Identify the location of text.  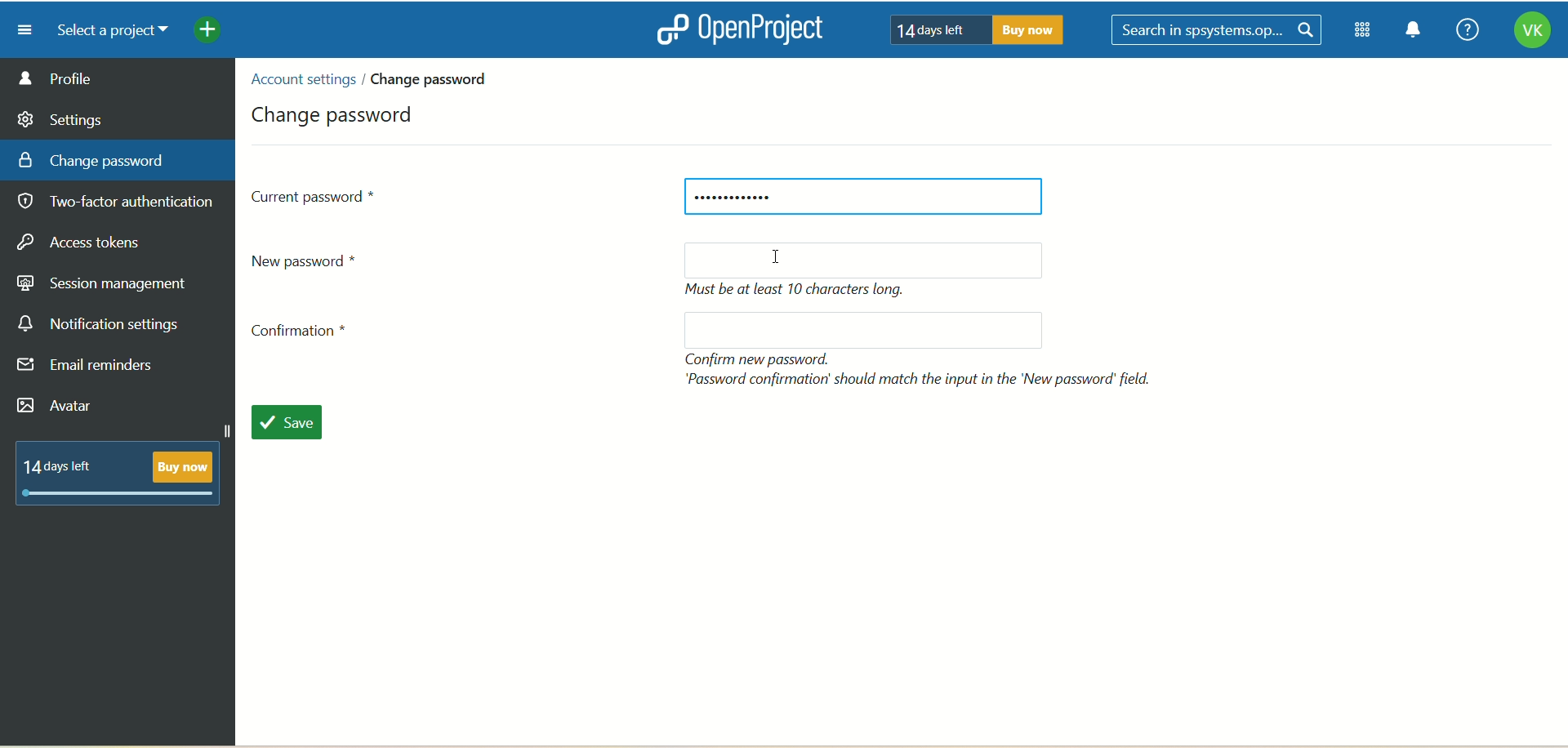
(971, 29).